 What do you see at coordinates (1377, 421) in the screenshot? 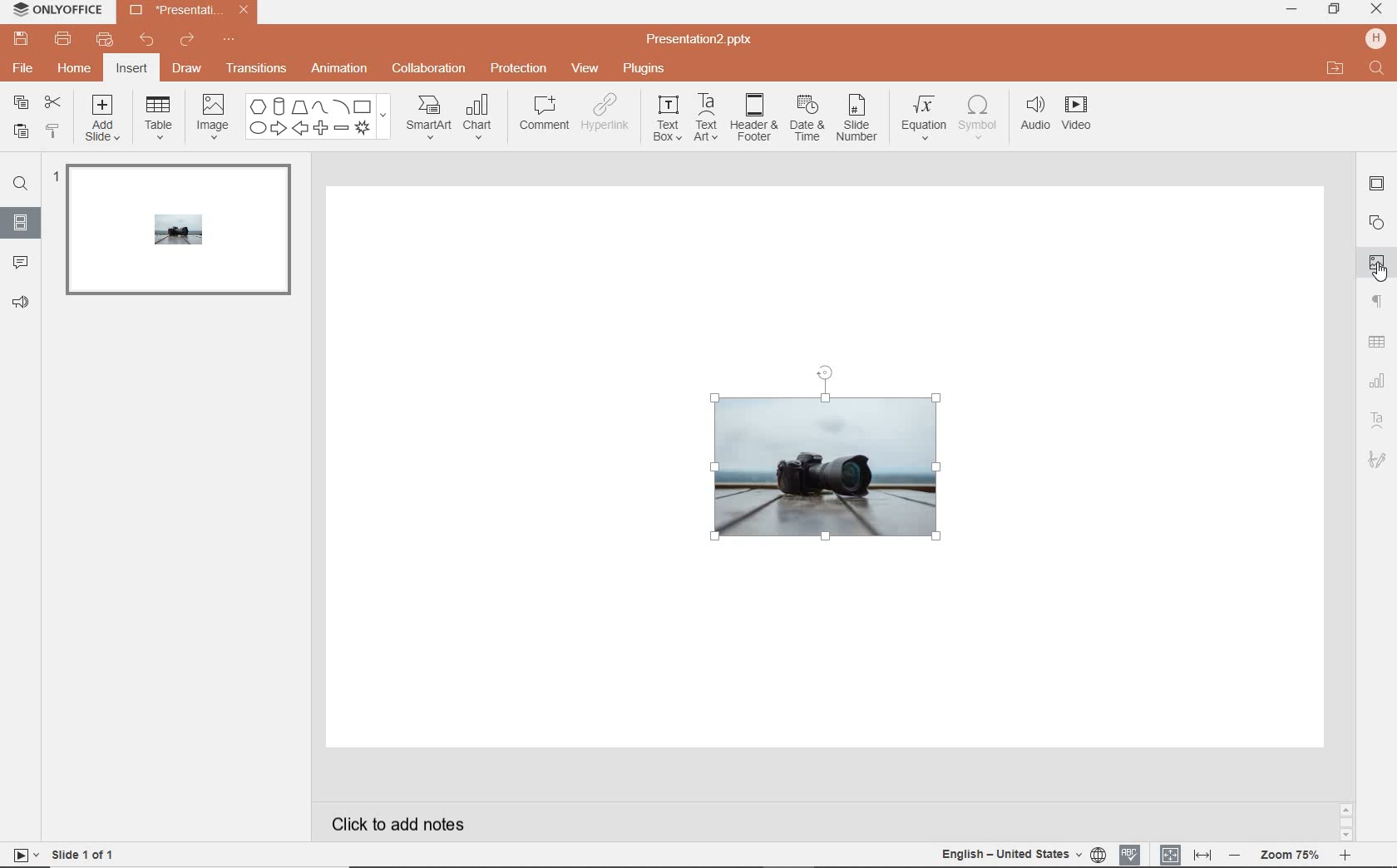
I see `text art` at bounding box center [1377, 421].